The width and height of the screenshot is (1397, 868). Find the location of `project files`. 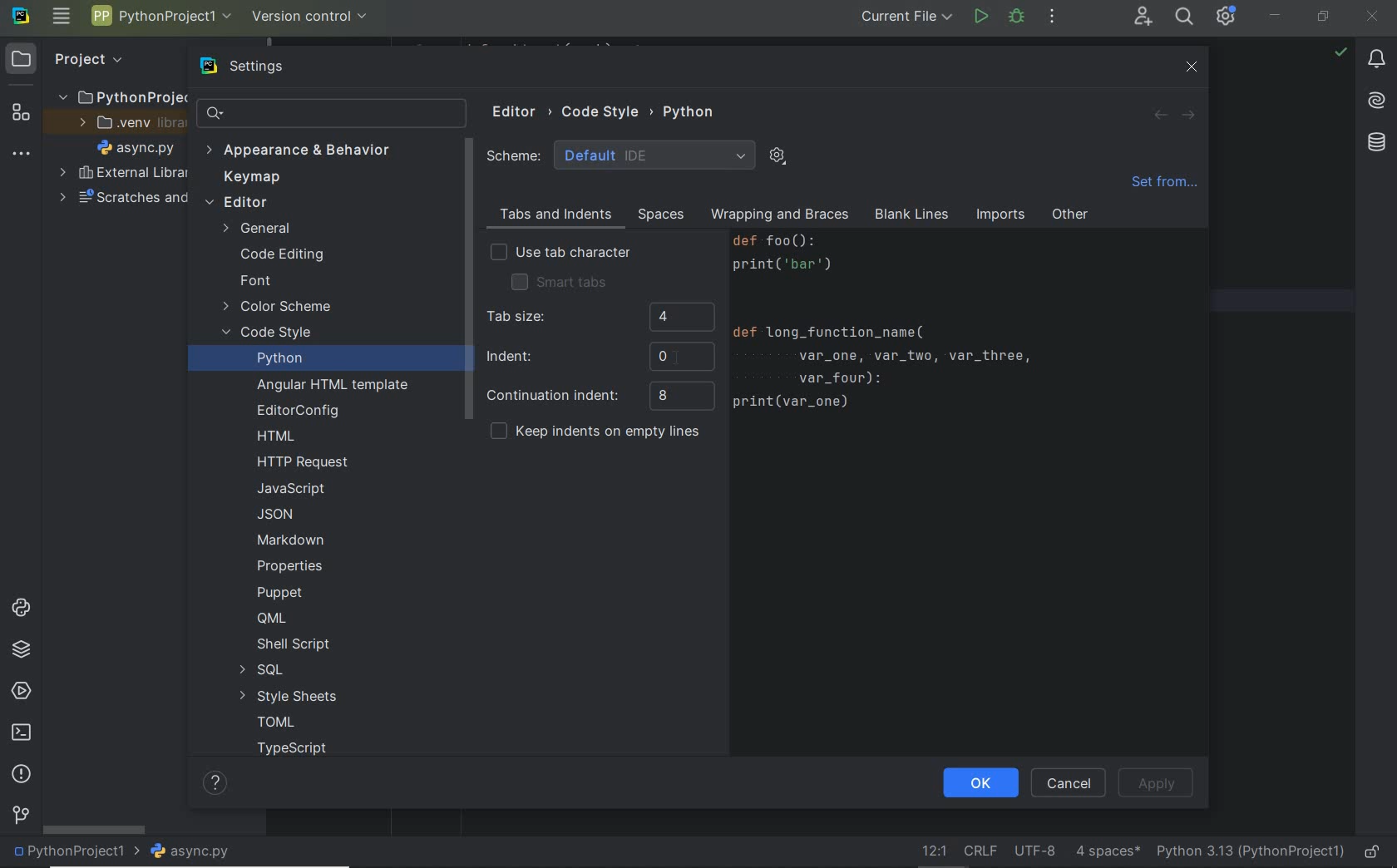

project files is located at coordinates (136, 148).